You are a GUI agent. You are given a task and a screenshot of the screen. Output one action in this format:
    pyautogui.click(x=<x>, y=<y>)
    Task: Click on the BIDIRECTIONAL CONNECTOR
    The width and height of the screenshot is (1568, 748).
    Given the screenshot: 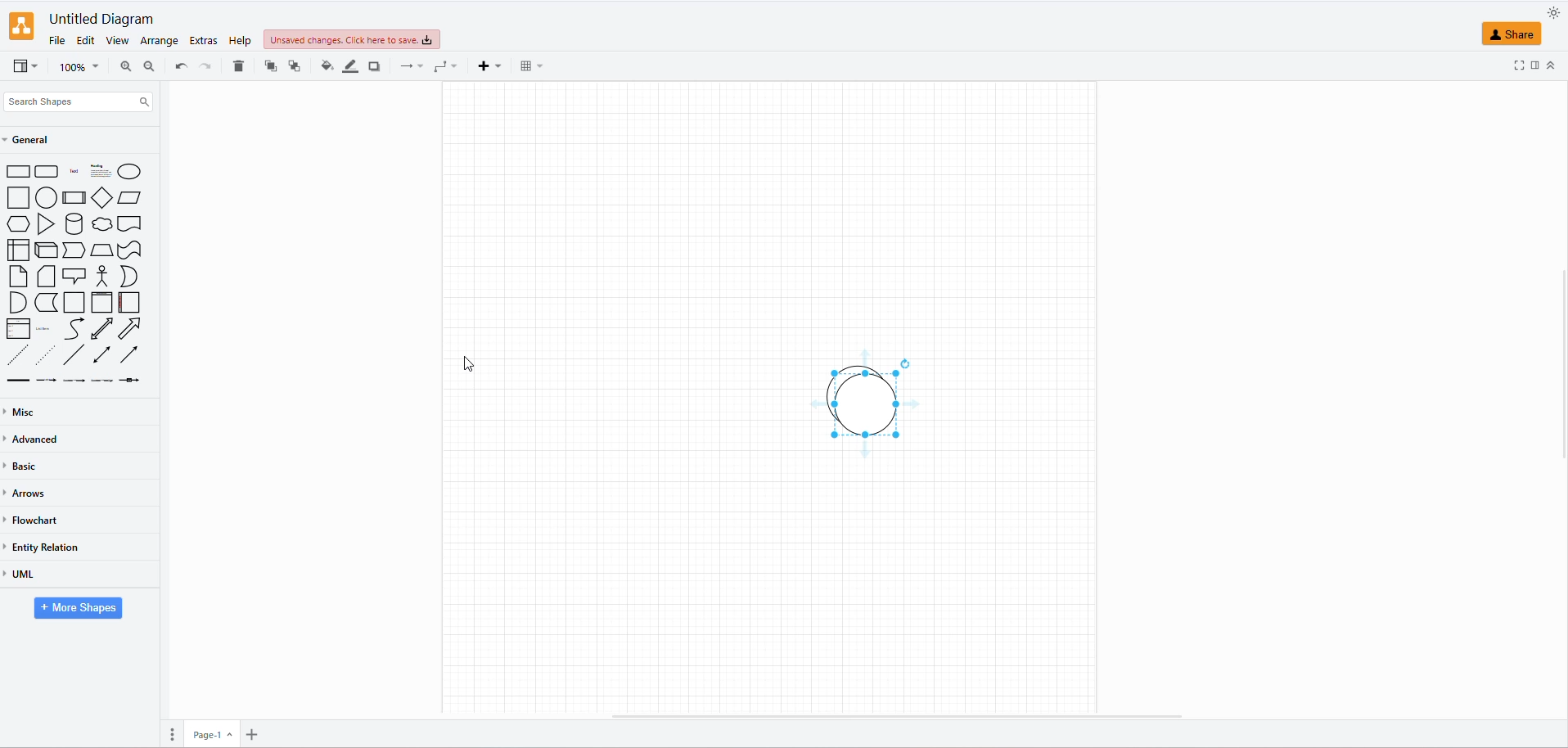 What is the action you would take?
    pyautogui.click(x=101, y=354)
    